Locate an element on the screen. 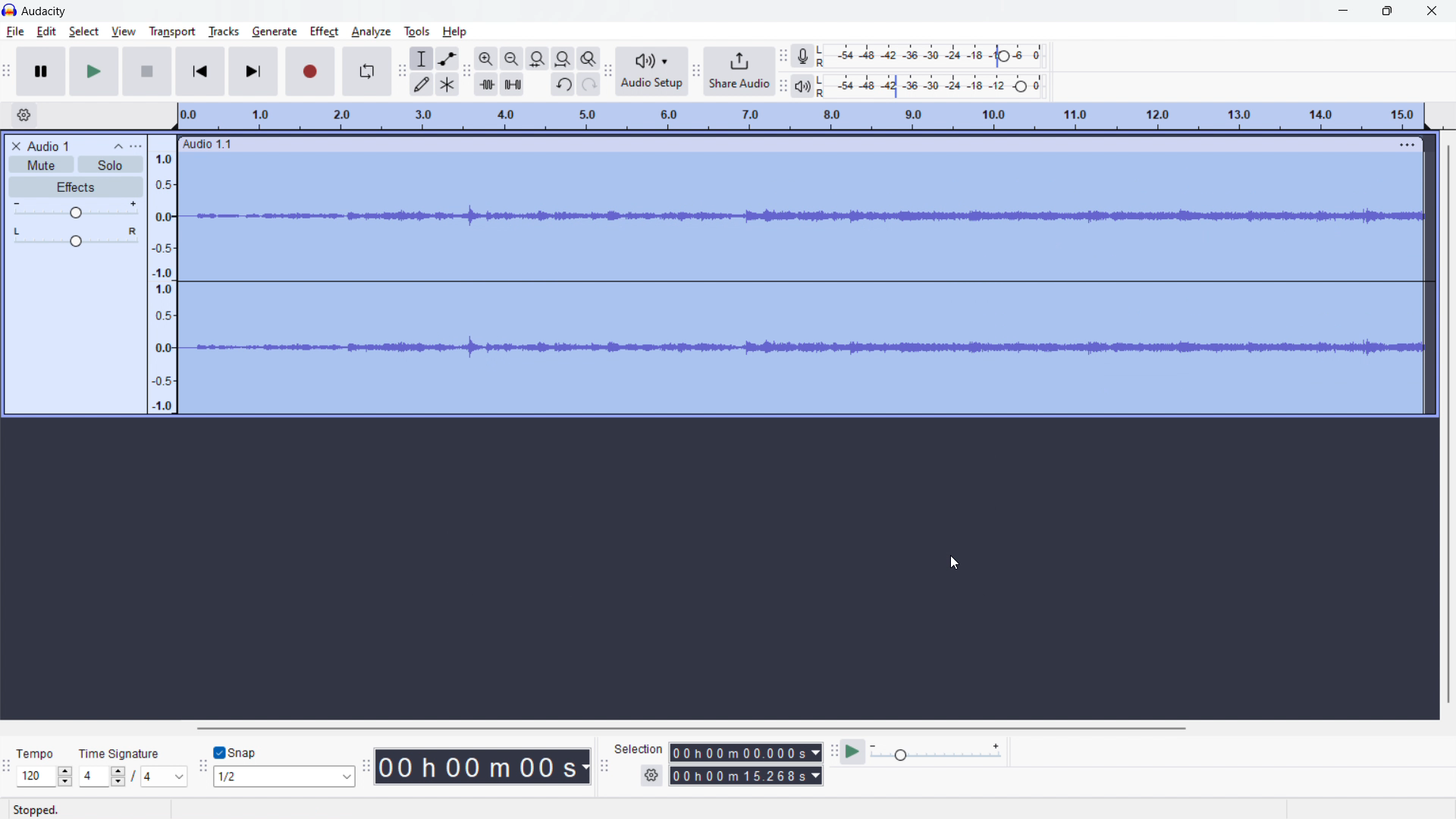  Stopped is located at coordinates (46, 808).